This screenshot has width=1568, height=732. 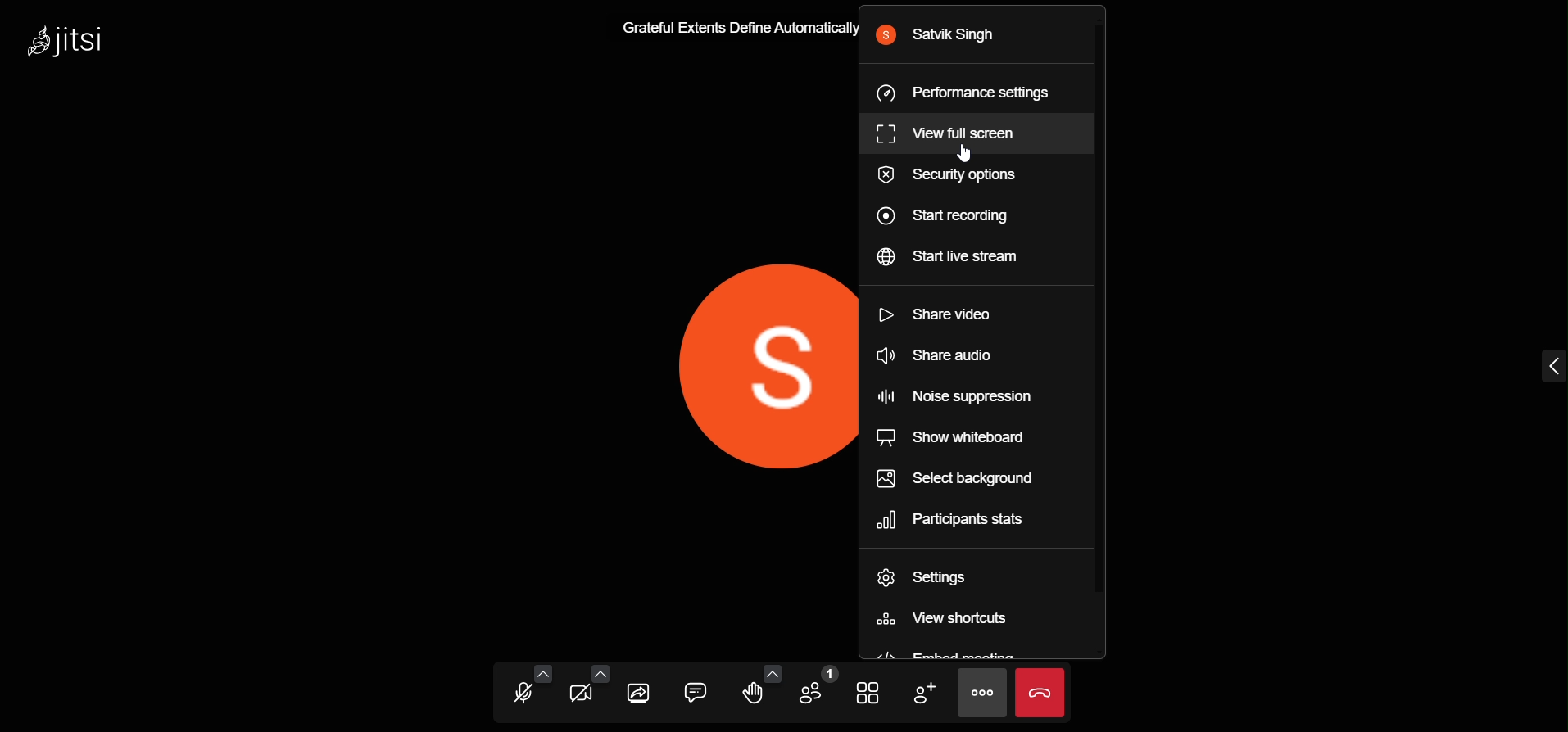 What do you see at coordinates (965, 92) in the screenshot?
I see `performance setting` at bounding box center [965, 92].